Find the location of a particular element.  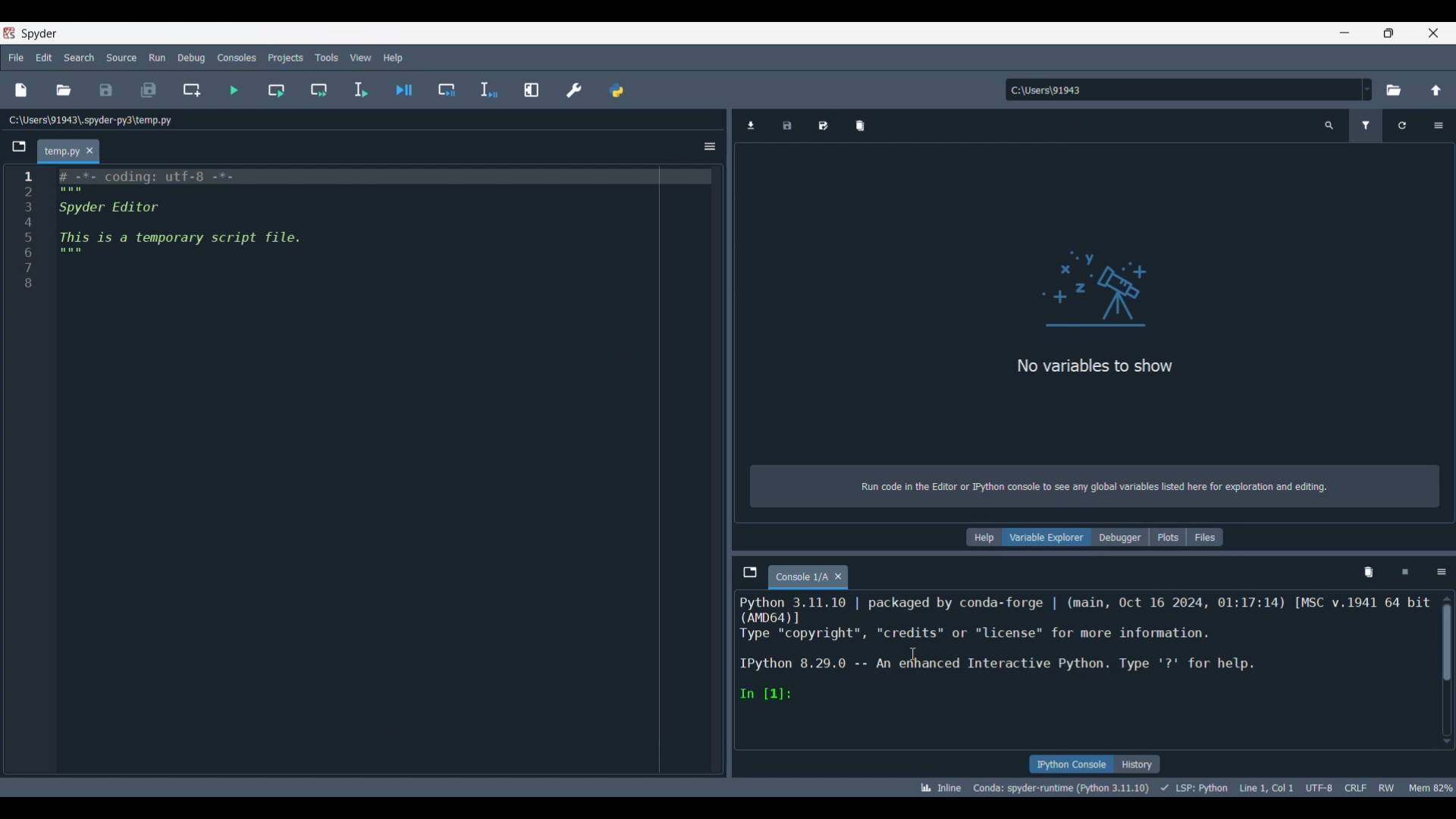

Filter variables is located at coordinates (1366, 126).